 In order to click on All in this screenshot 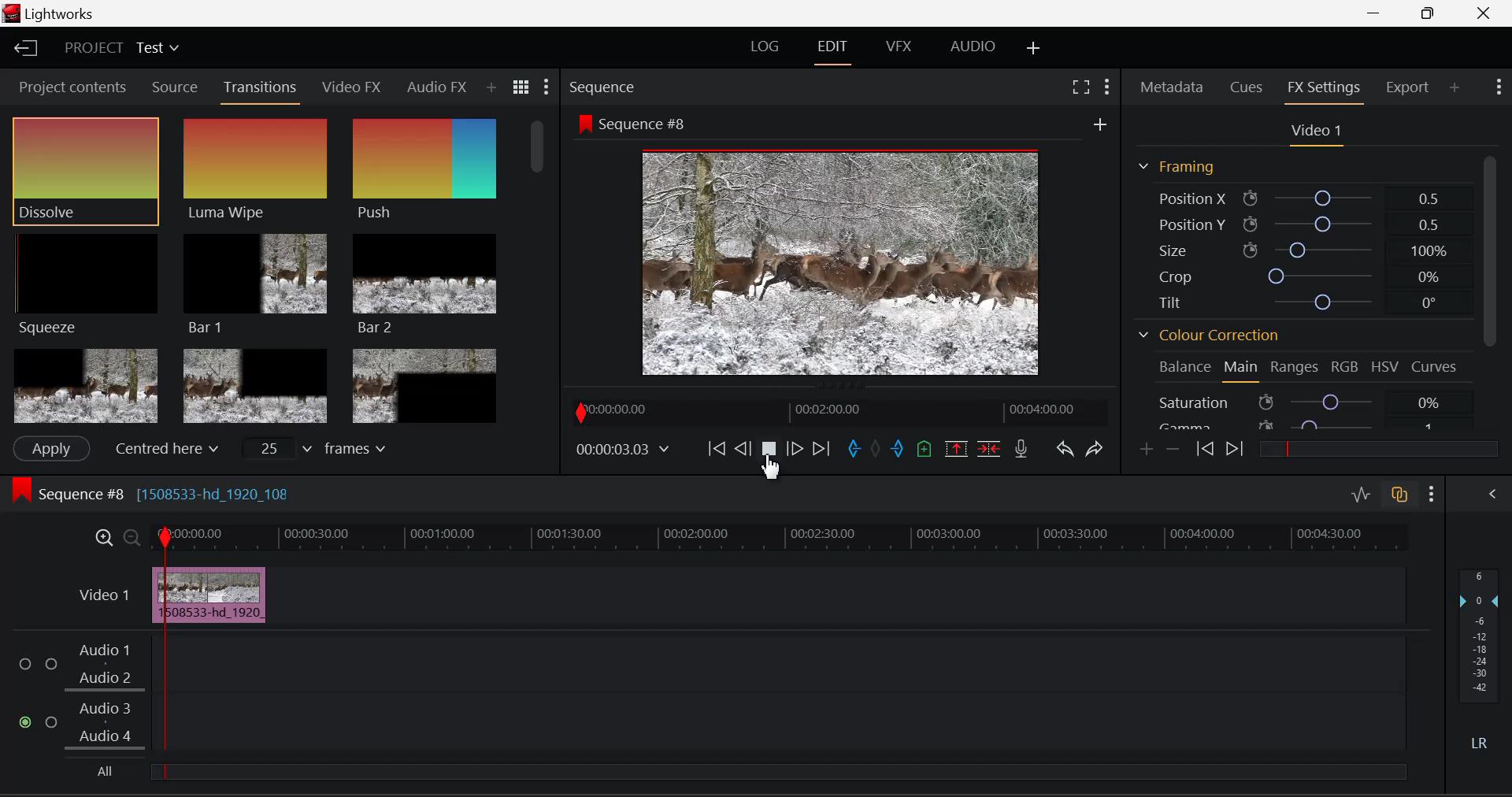, I will do `click(102, 771)`.